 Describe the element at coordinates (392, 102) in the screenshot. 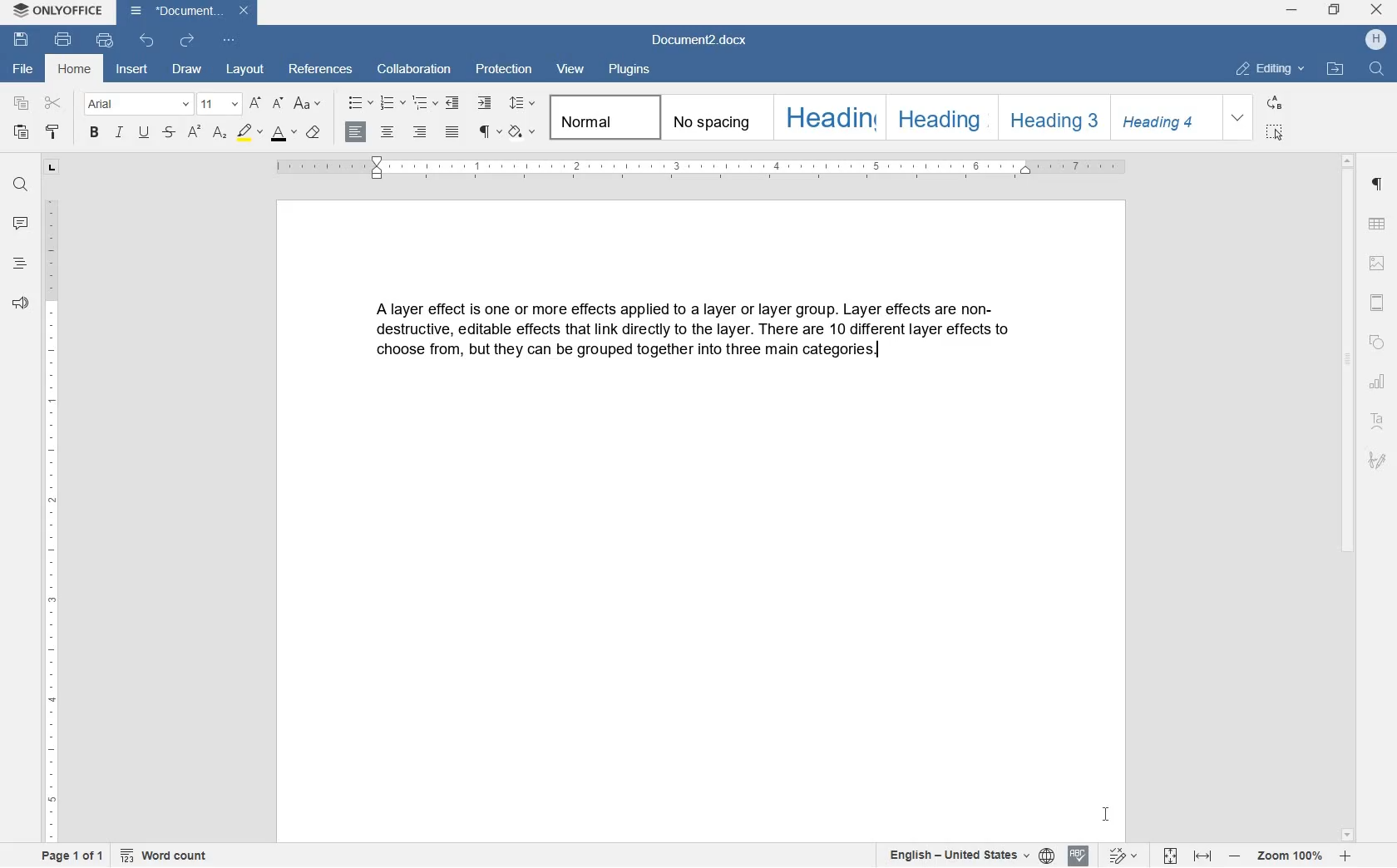

I see `NUMBERING` at that location.